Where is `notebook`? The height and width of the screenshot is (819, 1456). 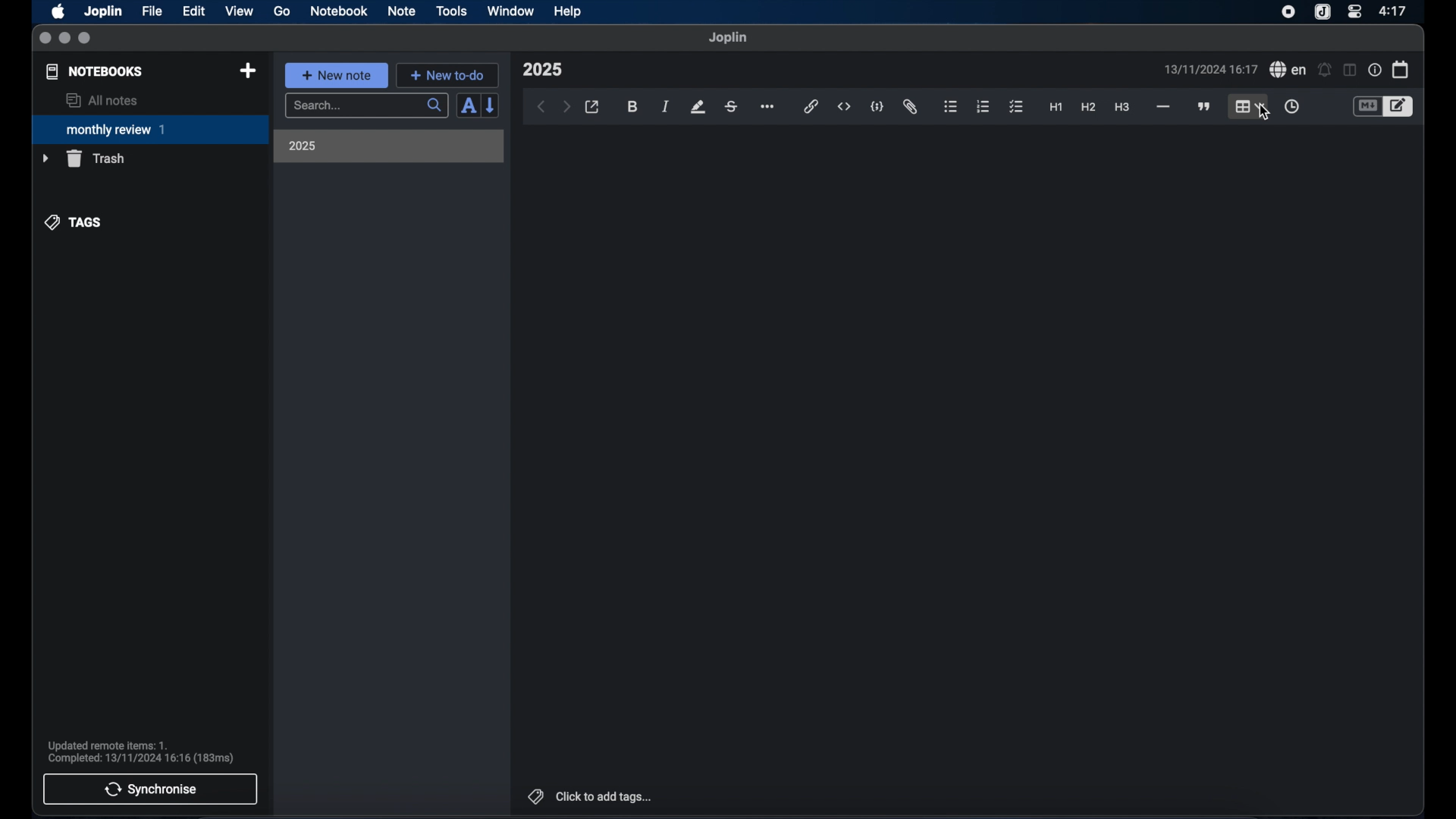
notebook is located at coordinates (339, 11).